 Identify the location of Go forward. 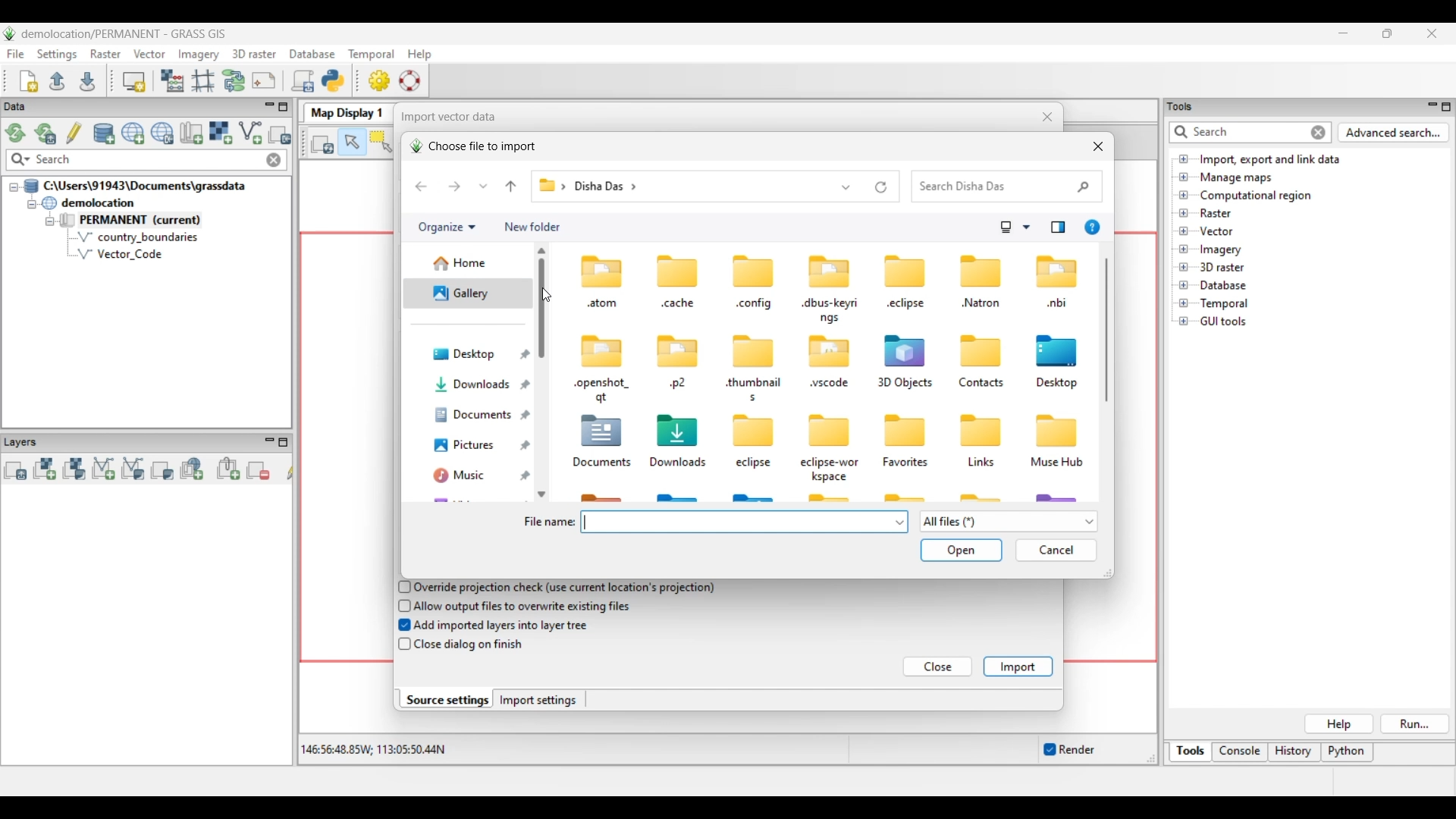
(454, 186).